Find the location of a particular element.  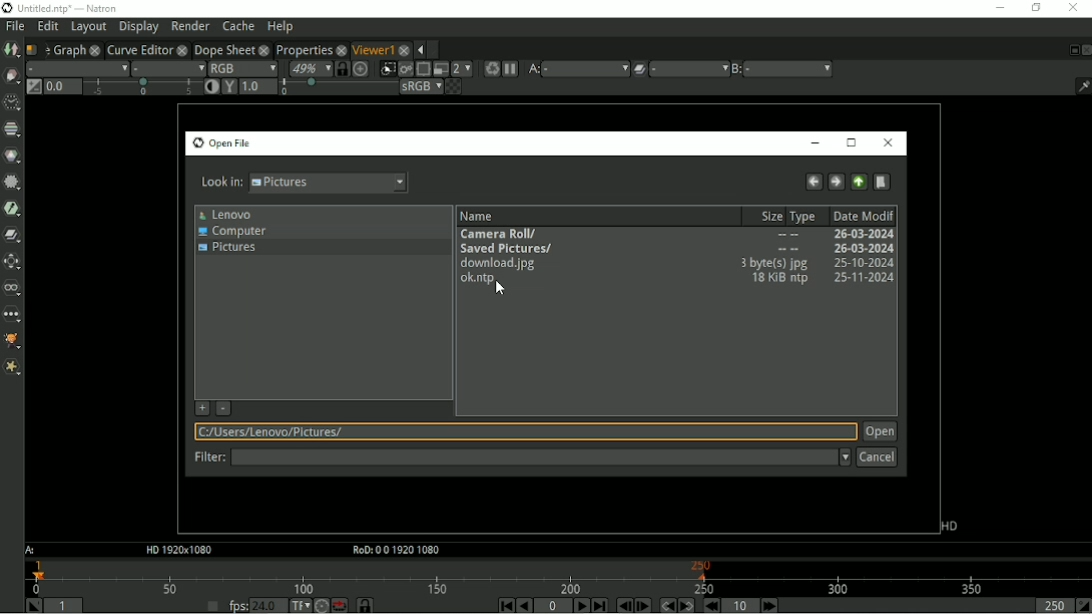

Display is located at coordinates (139, 27).